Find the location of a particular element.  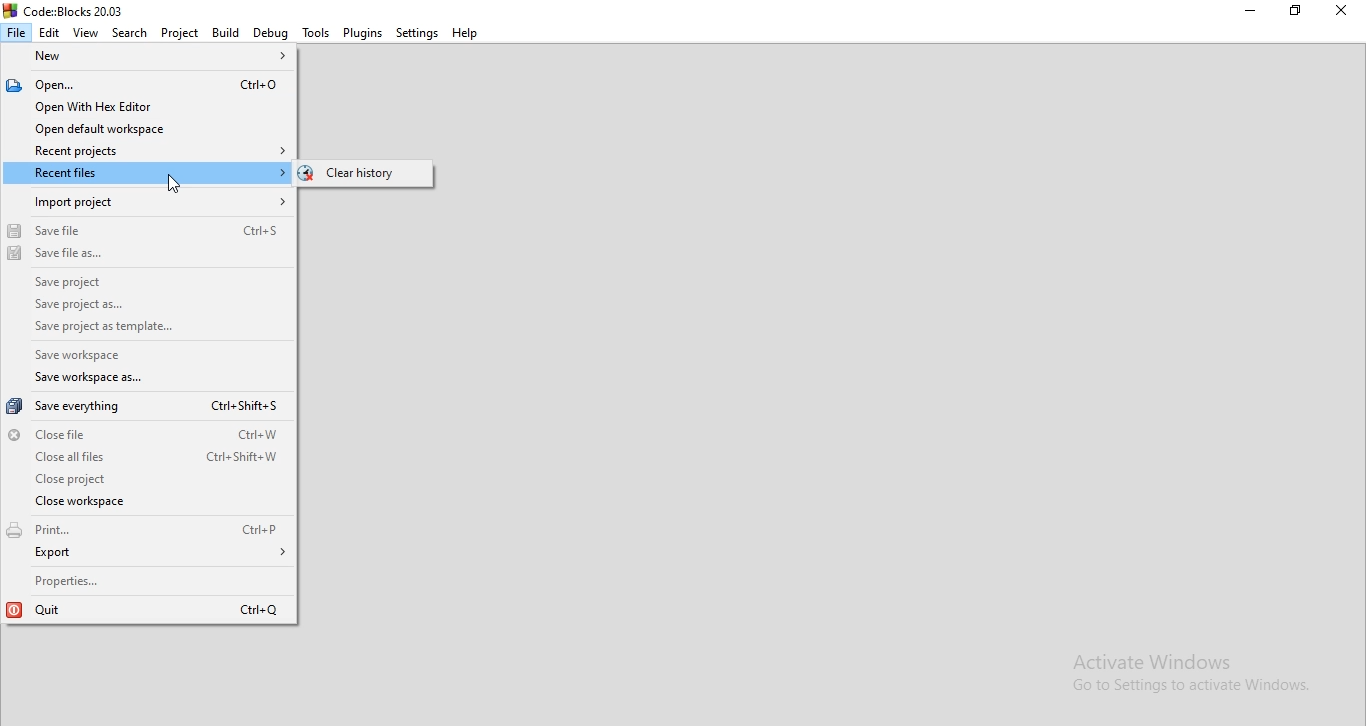

Cursor is located at coordinates (177, 186).